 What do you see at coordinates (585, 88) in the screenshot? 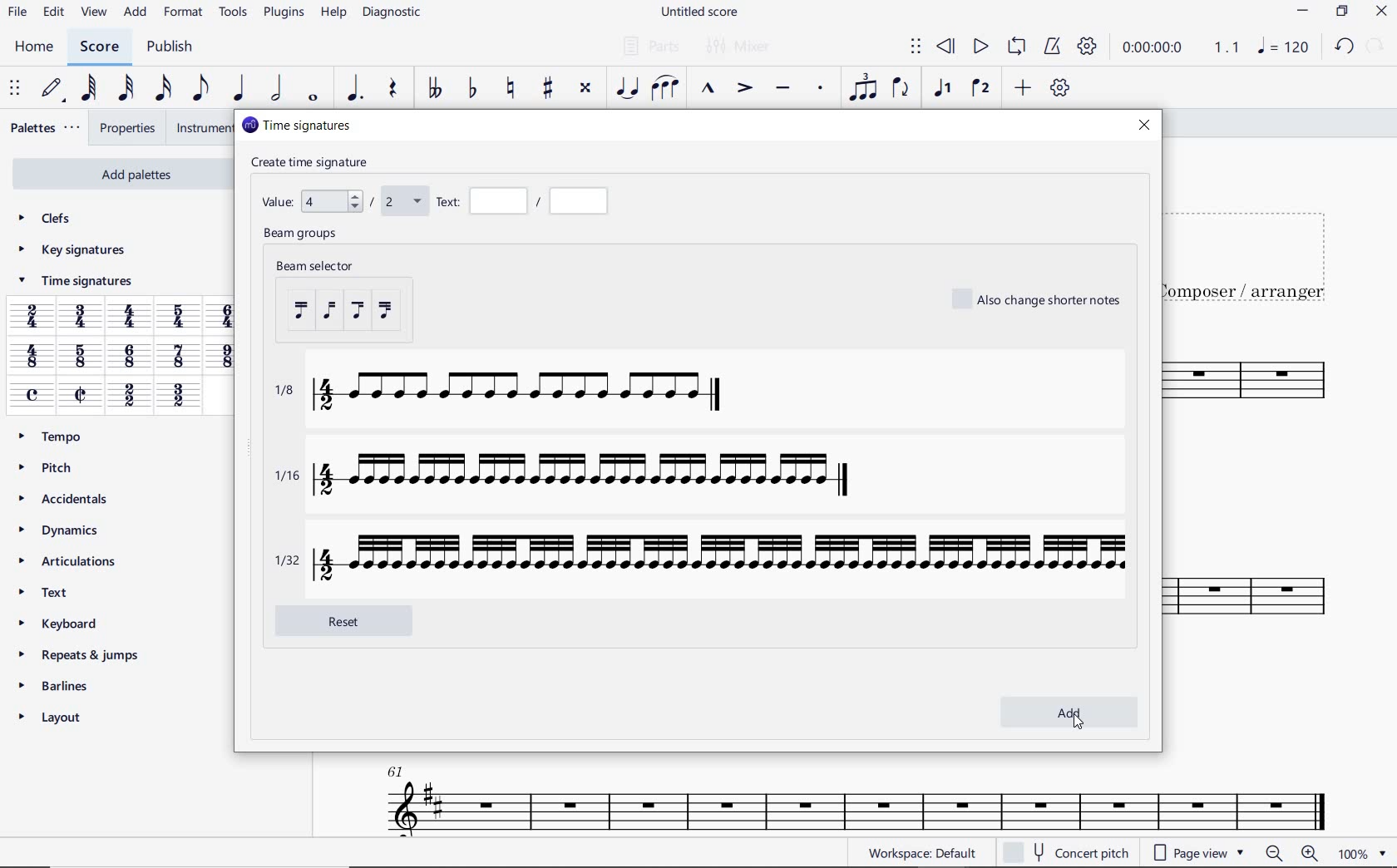
I see `TOGGLE DOUBLE-SHARP` at bounding box center [585, 88].